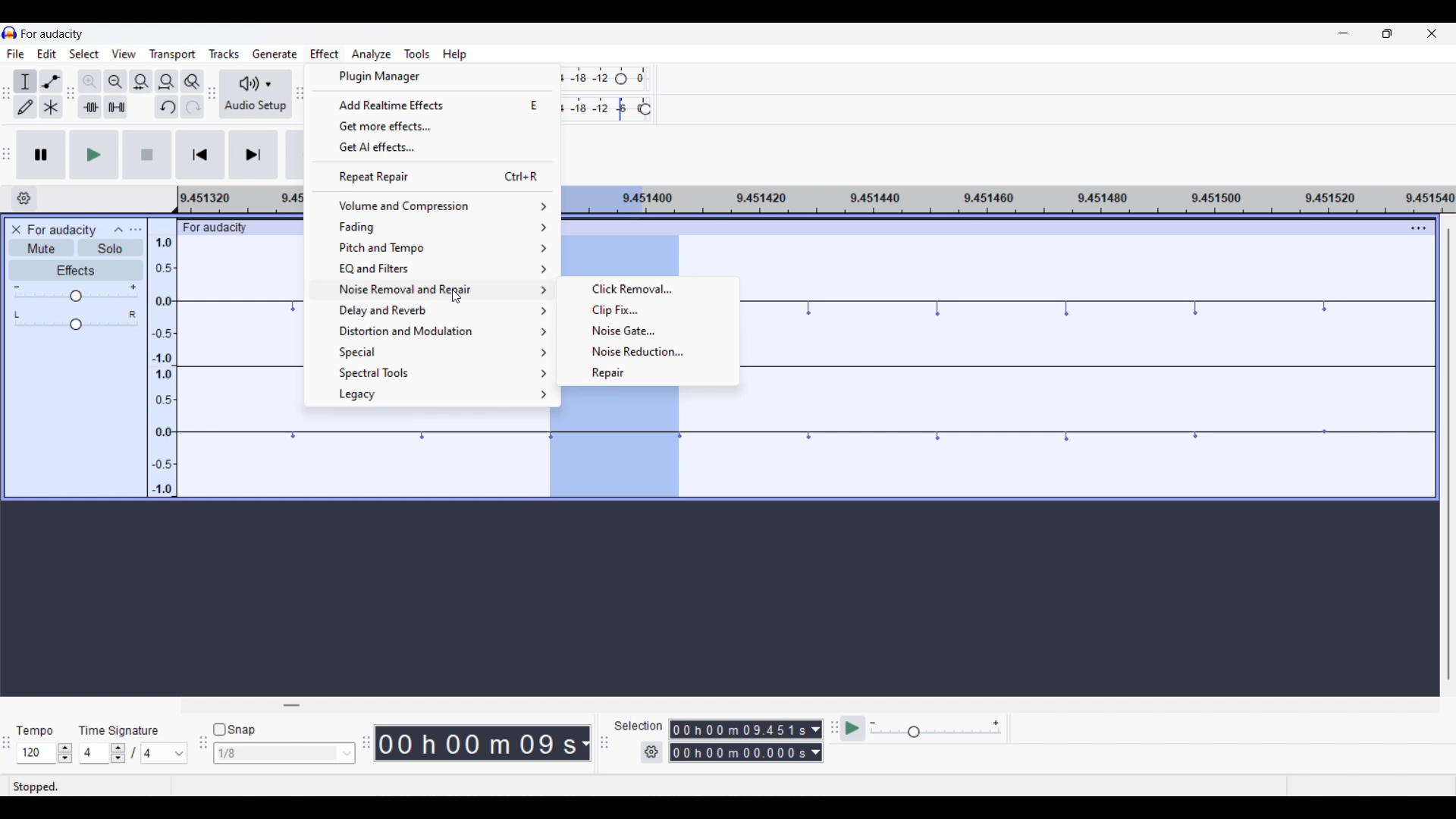  I want to click on Silence audio selection, so click(117, 107).